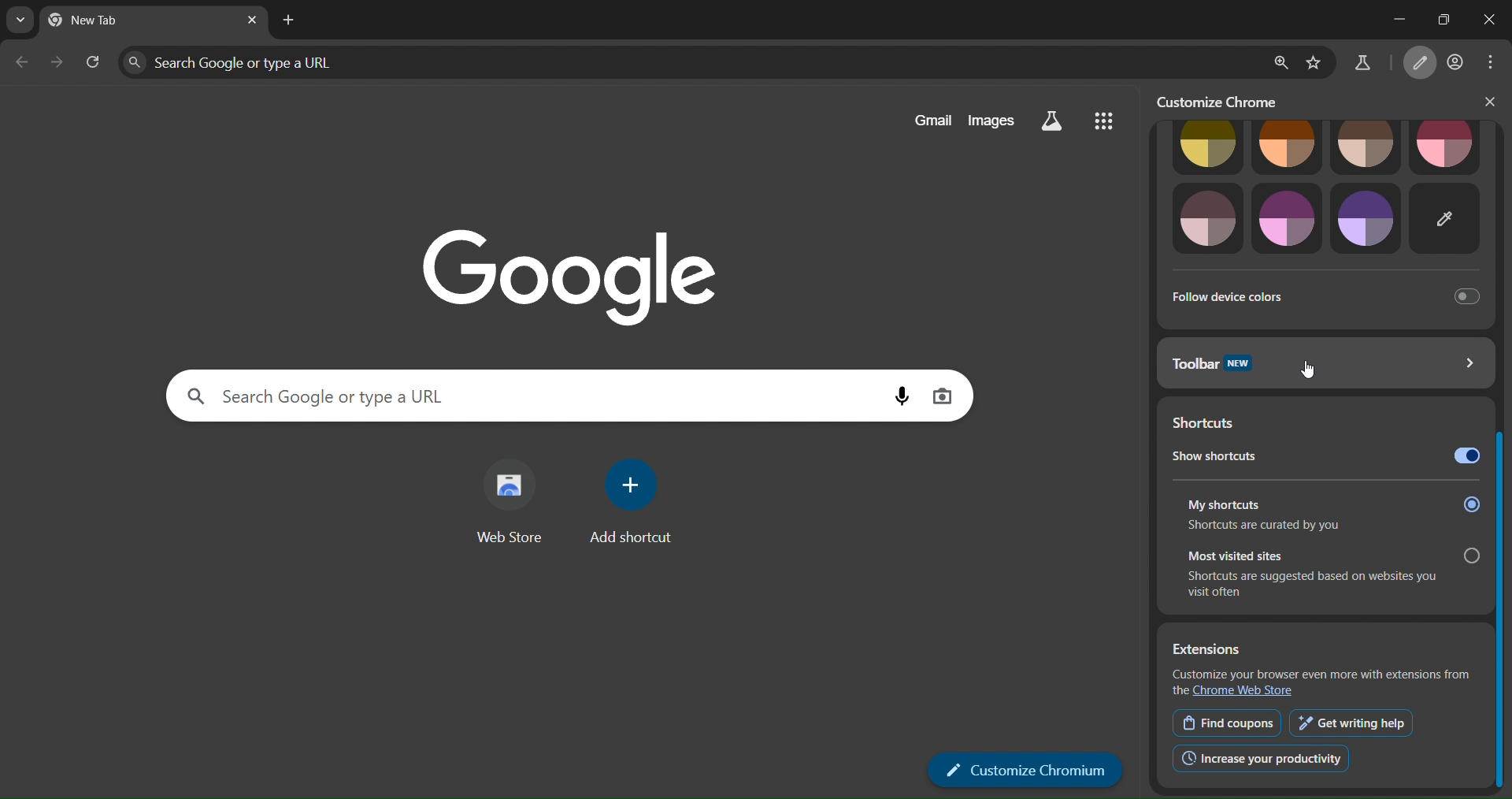  Describe the element at coordinates (1457, 61) in the screenshot. I see `account` at that location.